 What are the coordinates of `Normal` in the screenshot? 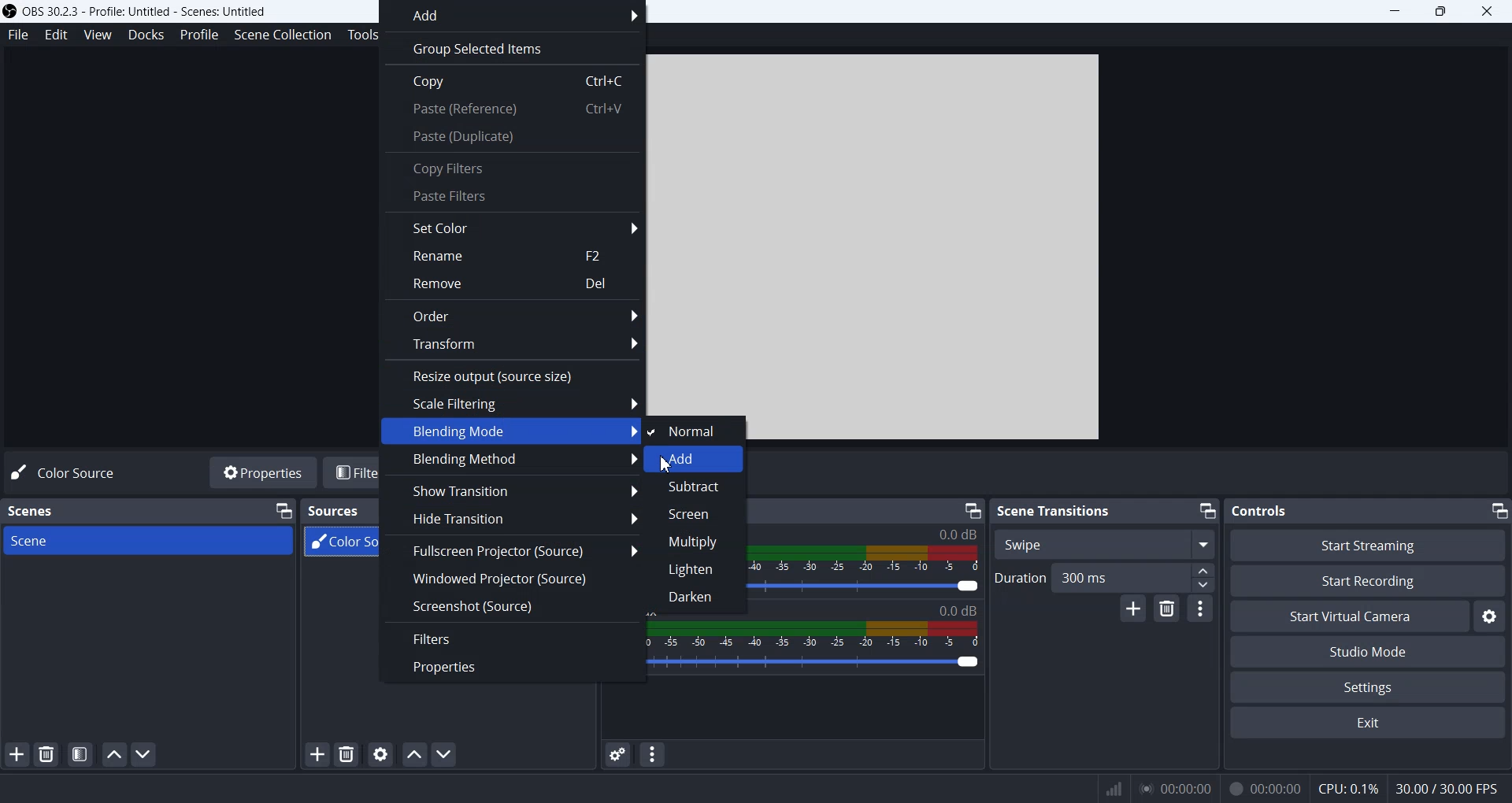 It's located at (697, 429).